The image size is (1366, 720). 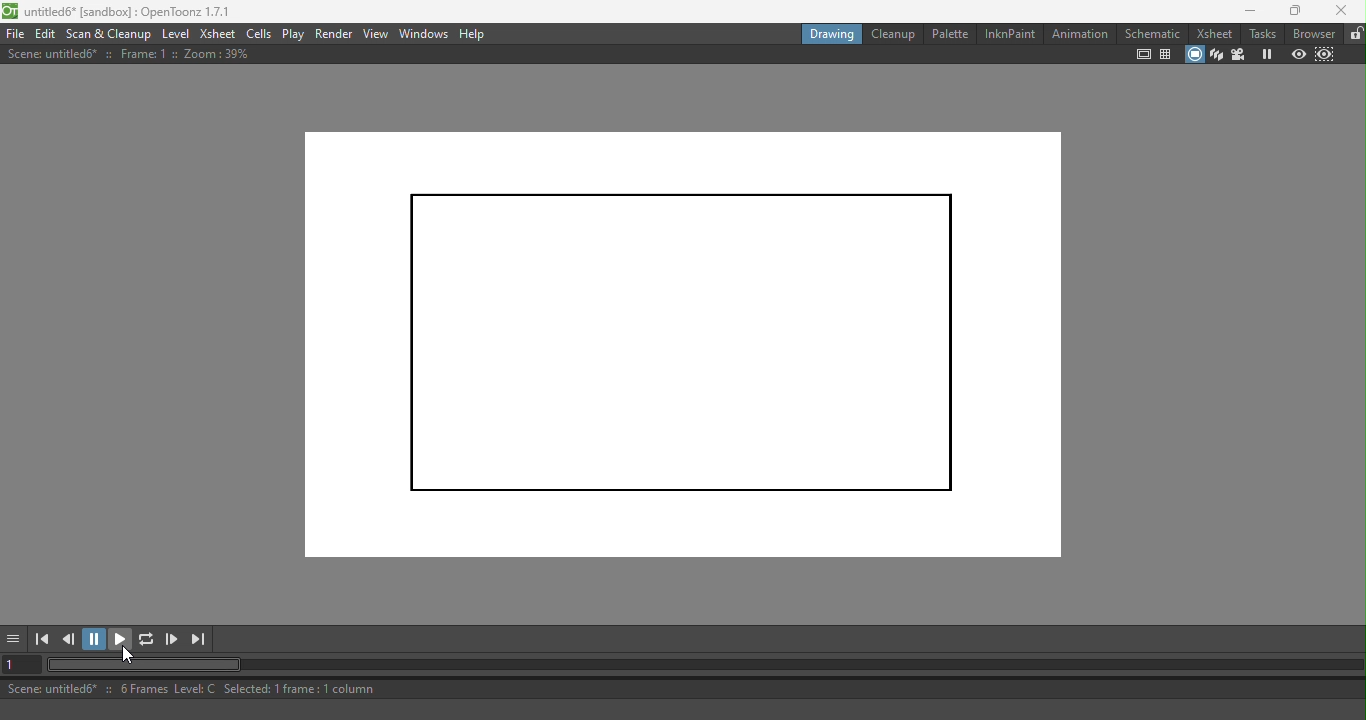 I want to click on Help, so click(x=470, y=35).